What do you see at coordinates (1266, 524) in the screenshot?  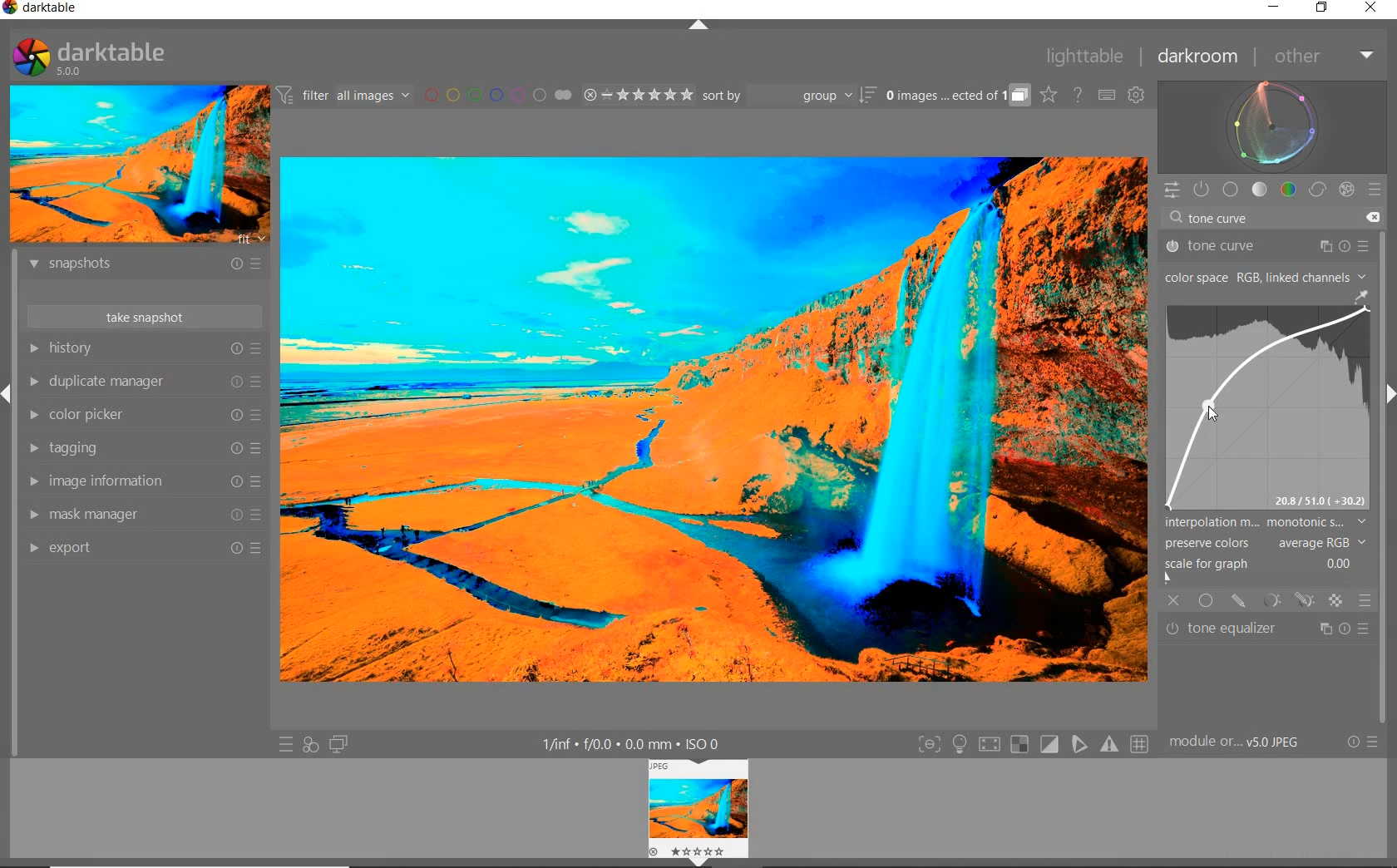 I see `INTERPOLATION` at bounding box center [1266, 524].